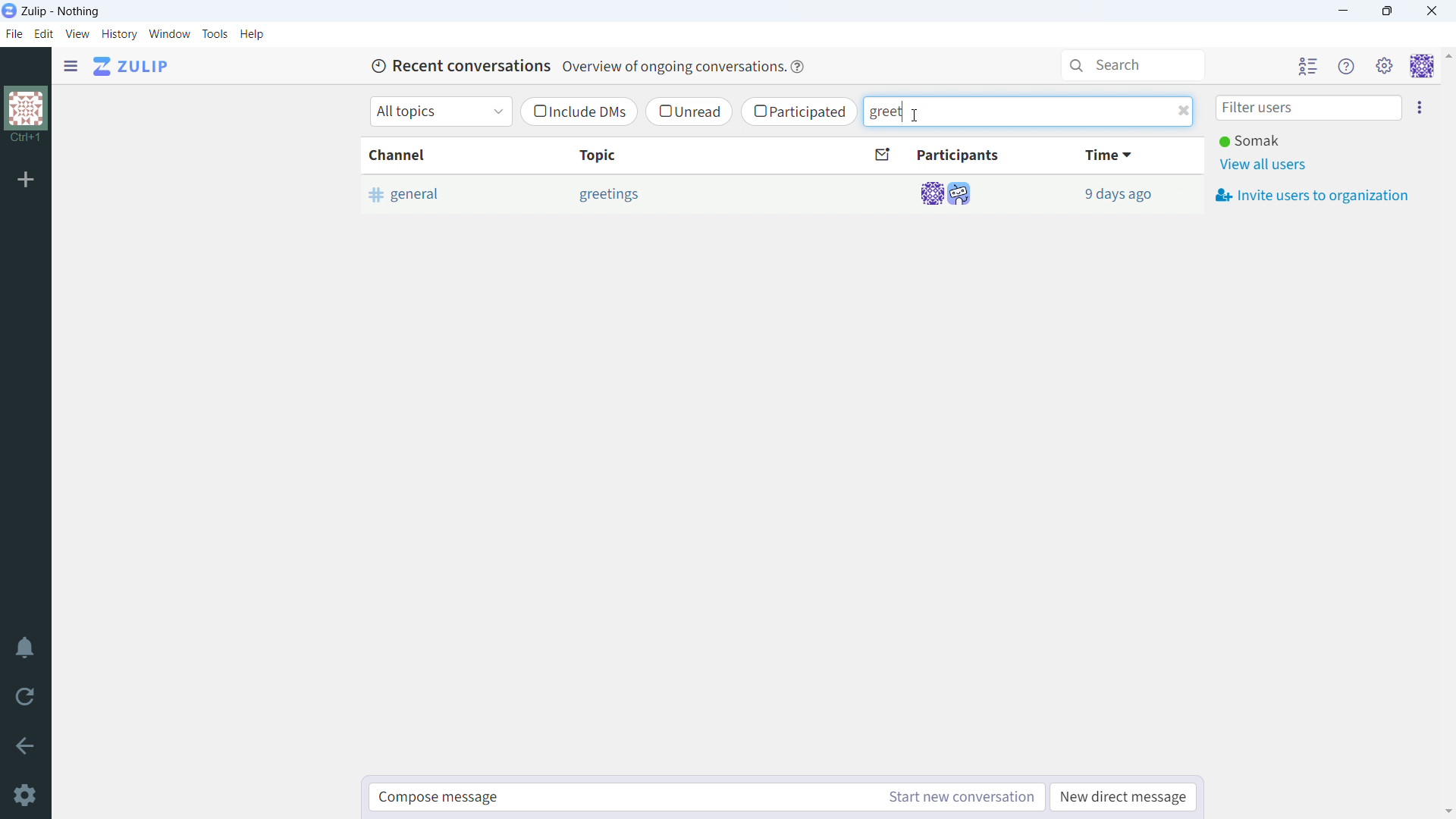  I want to click on maximize, so click(1388, 11).